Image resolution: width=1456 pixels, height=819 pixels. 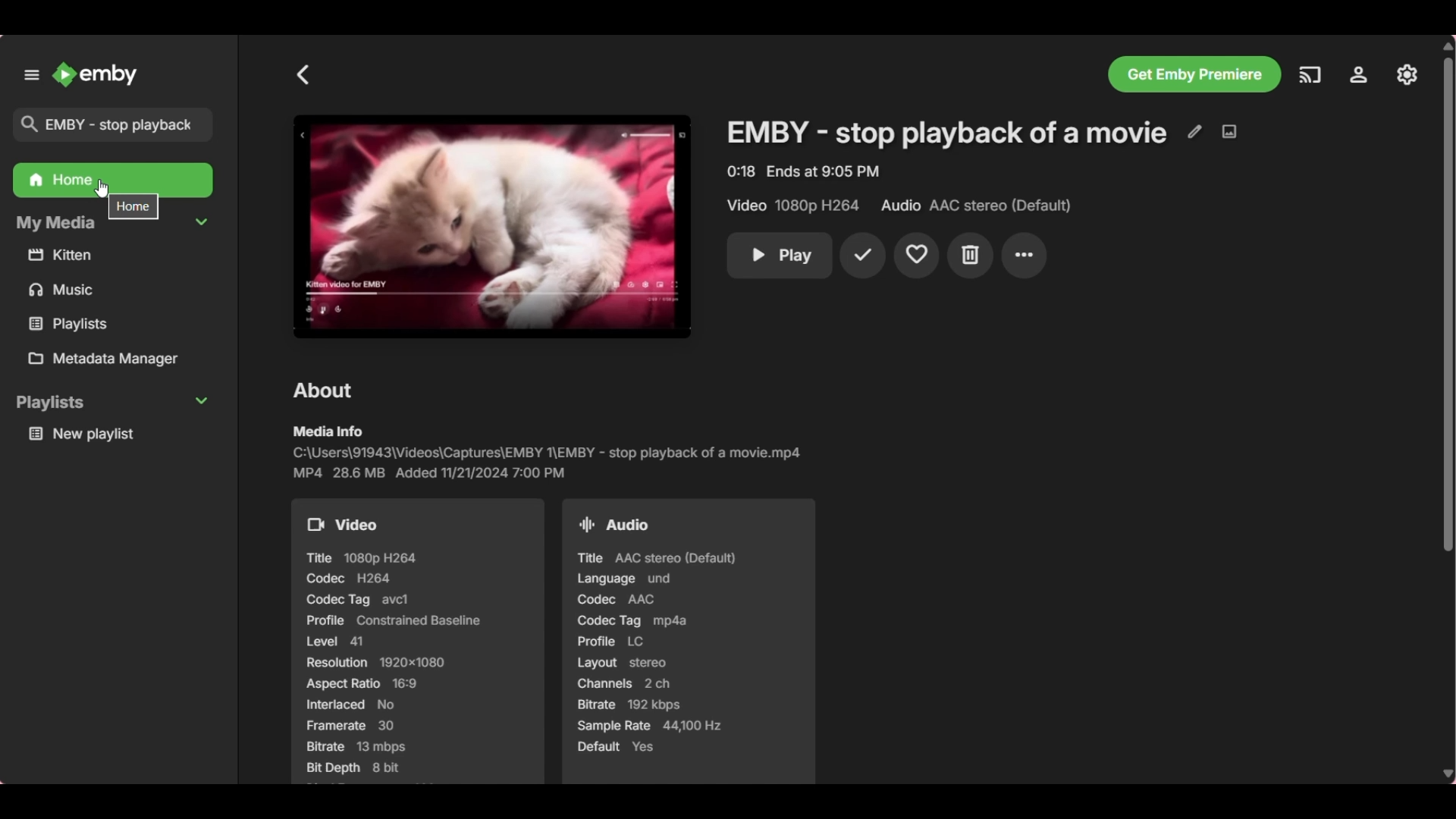 What do you see at coordinates (435, 472) in the screenshot?
I see `MP4 28.6 MB Added 11/21/2024 7:00 PM` at bounding box center [435, 472].